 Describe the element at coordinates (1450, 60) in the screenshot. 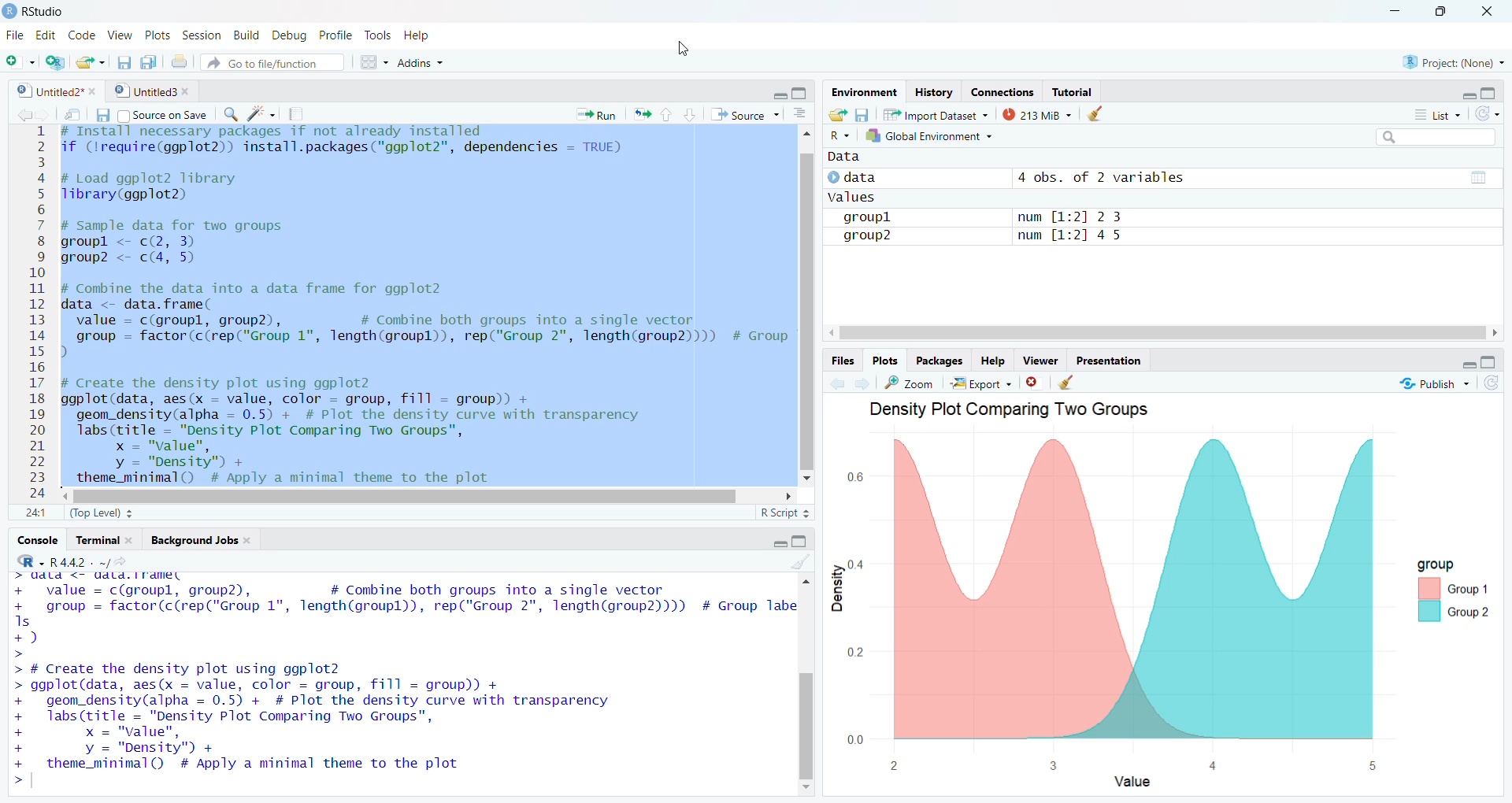

I see `project none` at that location.